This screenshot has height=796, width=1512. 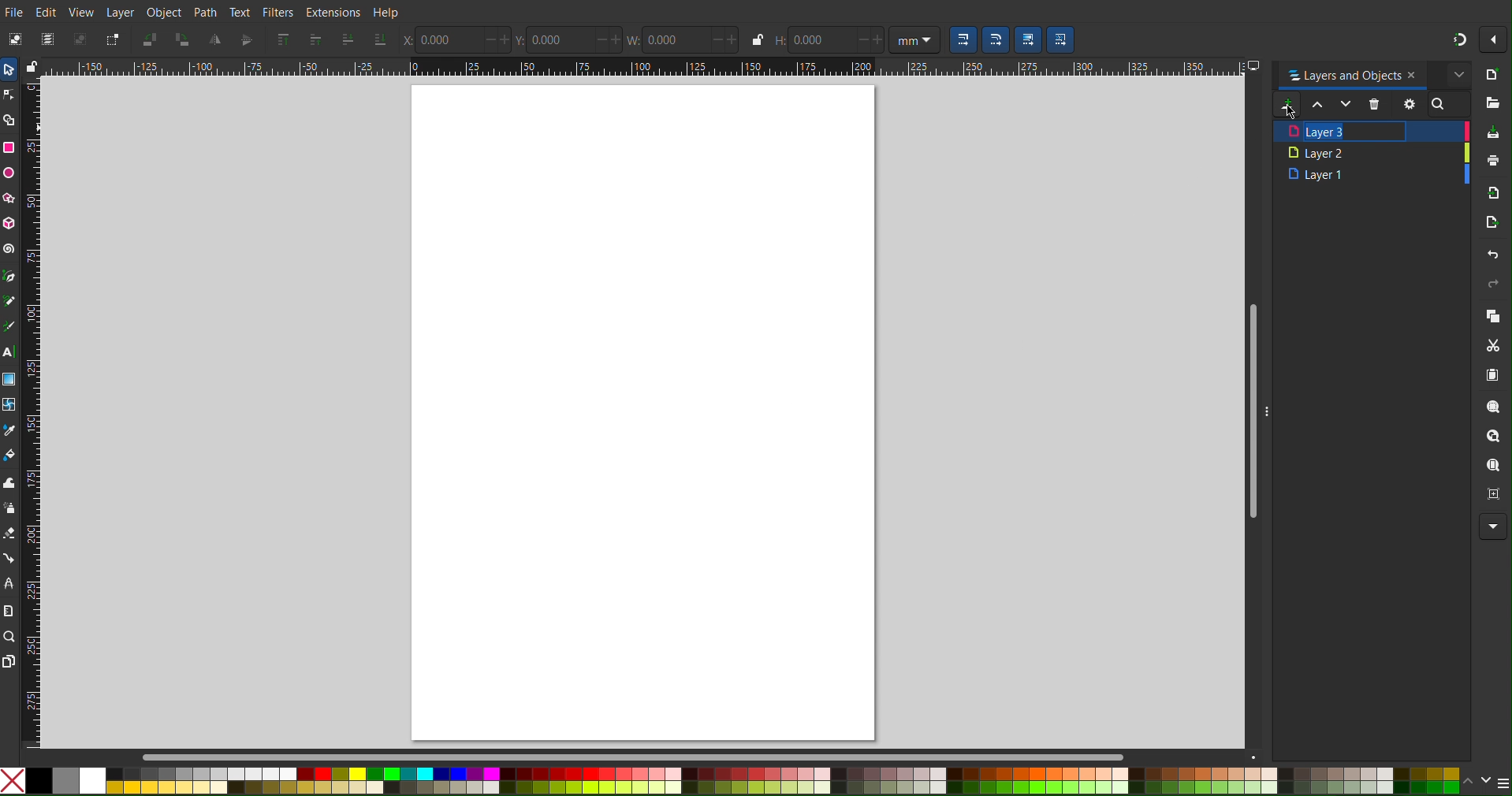 I want to click on Import Bitmap, so click(x=1490, y=194).